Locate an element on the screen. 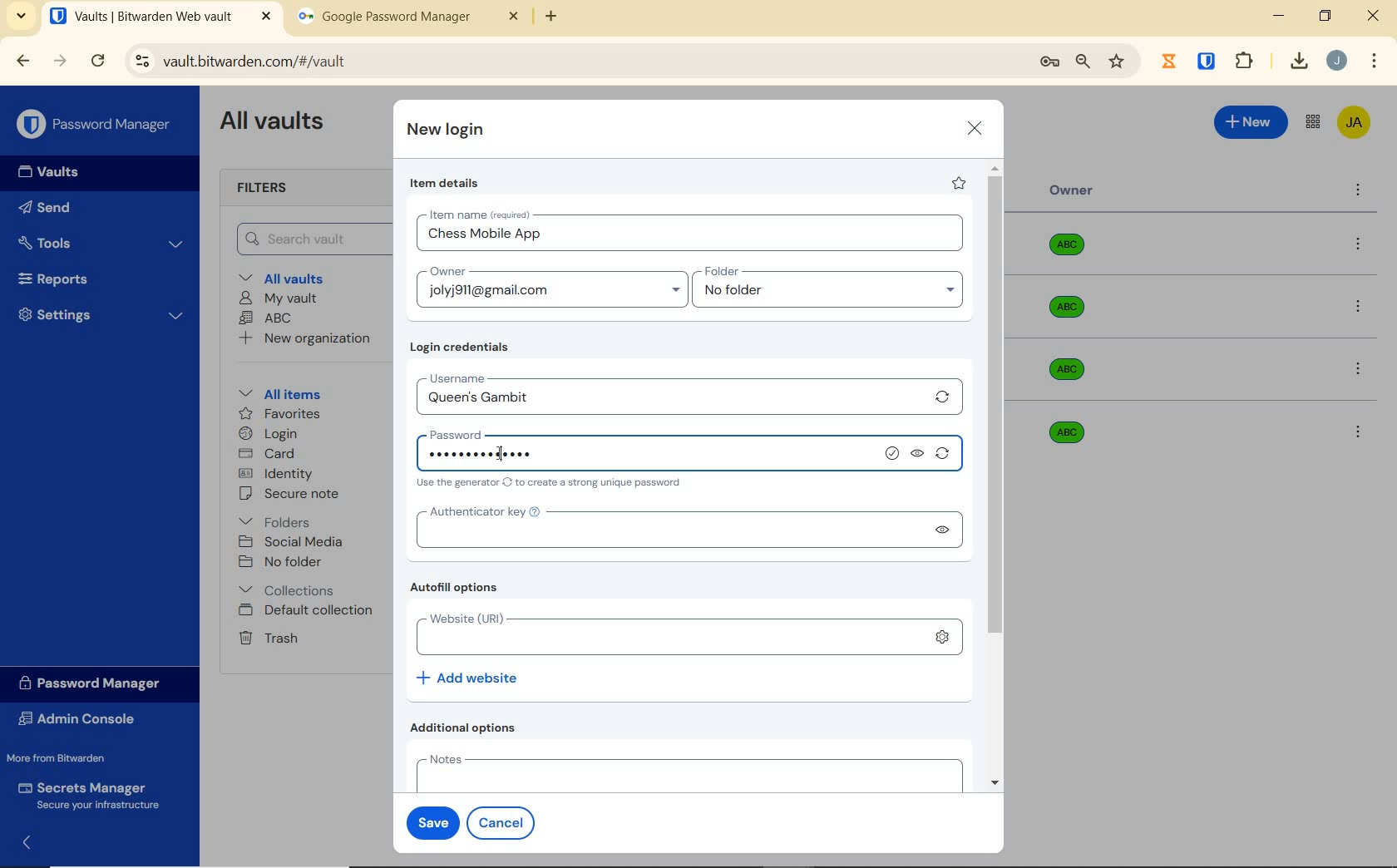 Image resolution: width=1397 pixels, height=868 pixels. All Vaults is located at coordinates (276, 123).